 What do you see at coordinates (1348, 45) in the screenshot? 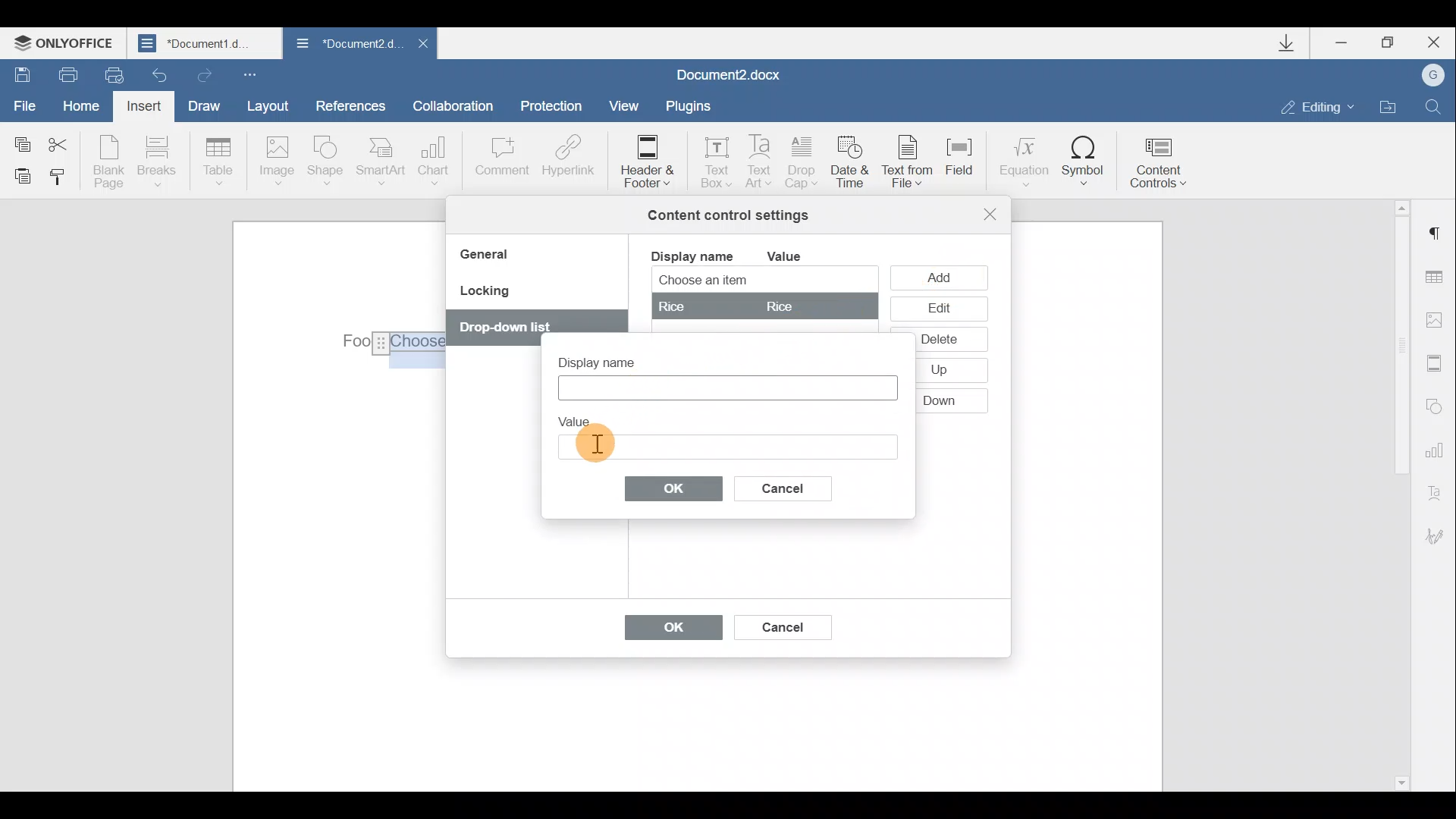
I see `Minimize` at bounding box center [1348, 45].